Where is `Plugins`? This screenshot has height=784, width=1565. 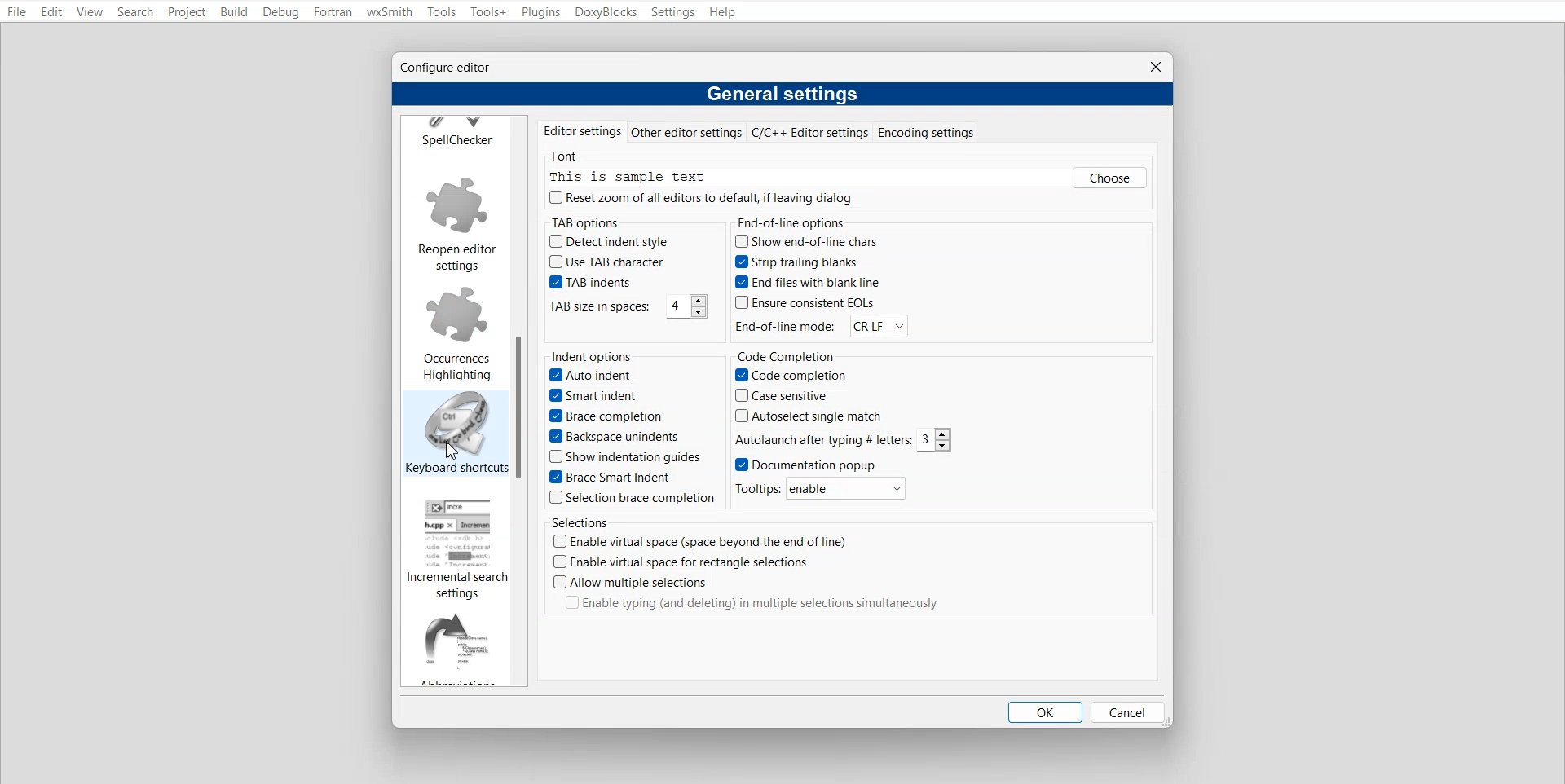 Plugins is located at coordinates (541, 12).